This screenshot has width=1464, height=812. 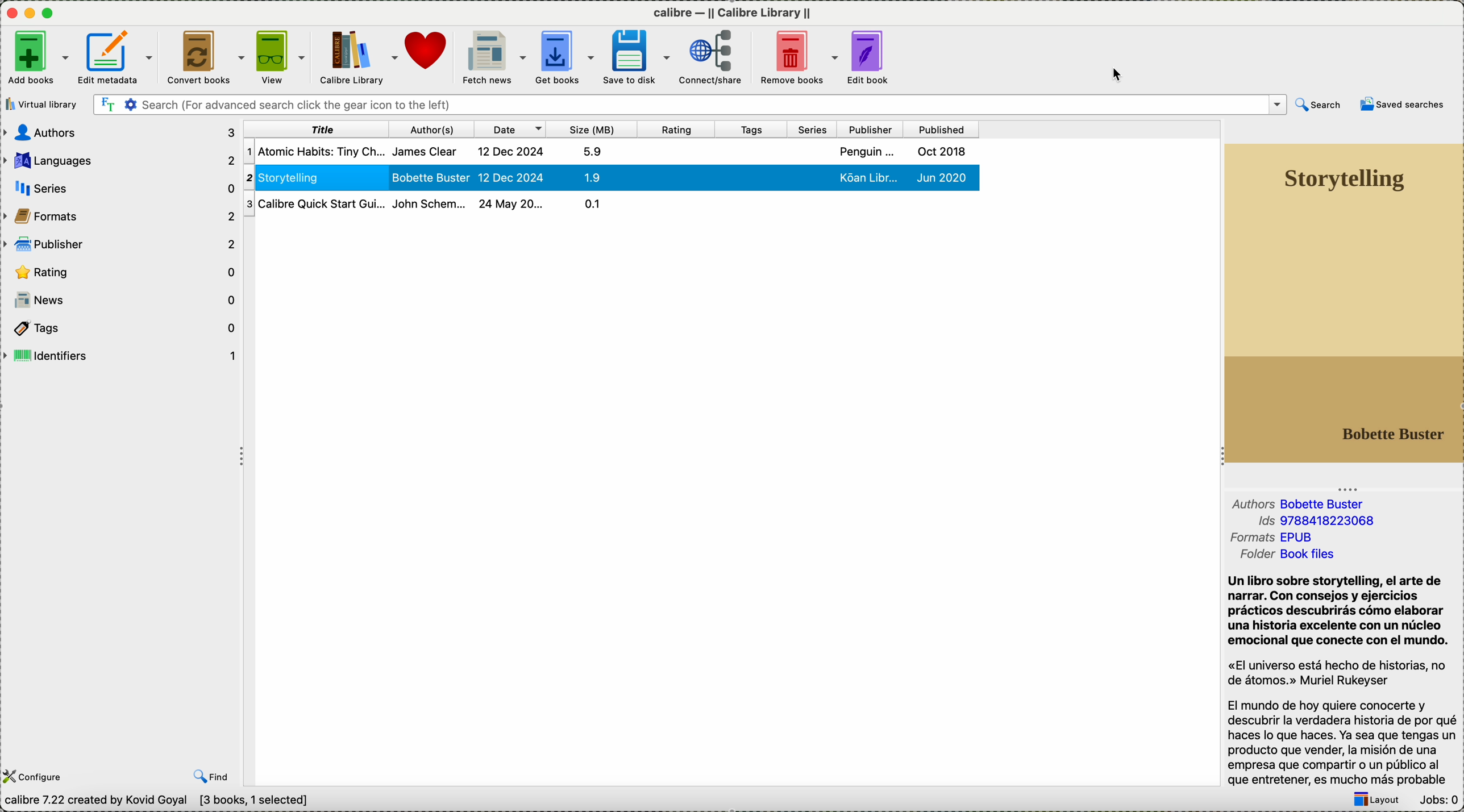 I want to click on tags, so click(x=120, y=328).